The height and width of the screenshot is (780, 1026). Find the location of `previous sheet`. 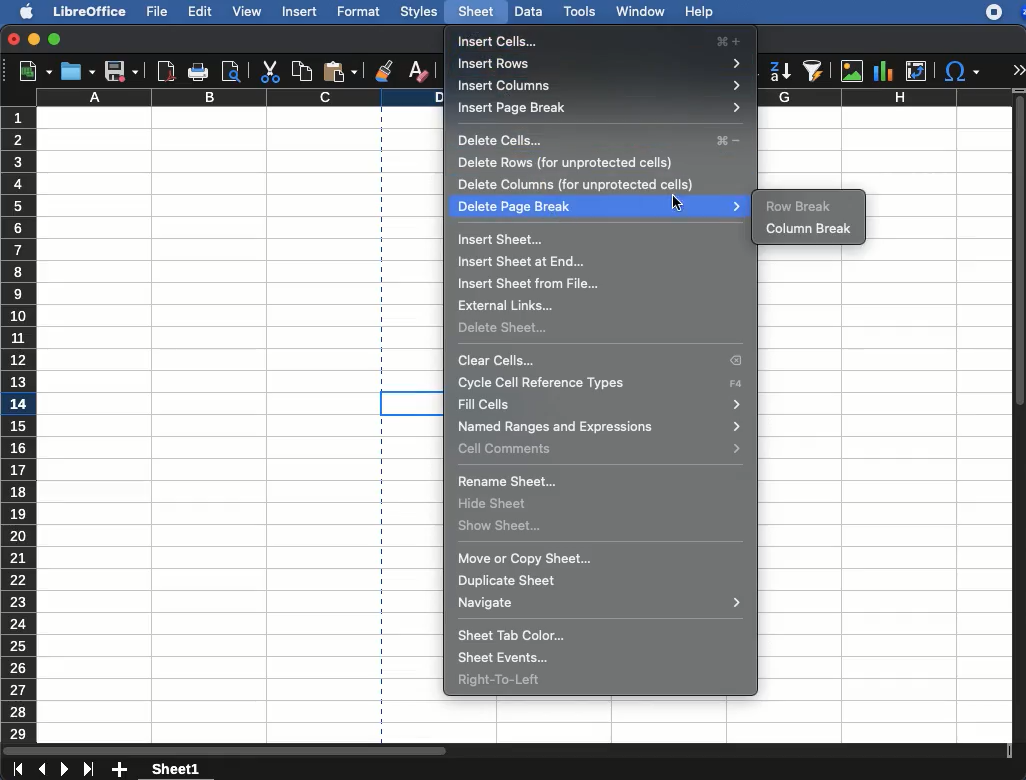

previous sheet is located at coordinates (43, 770).